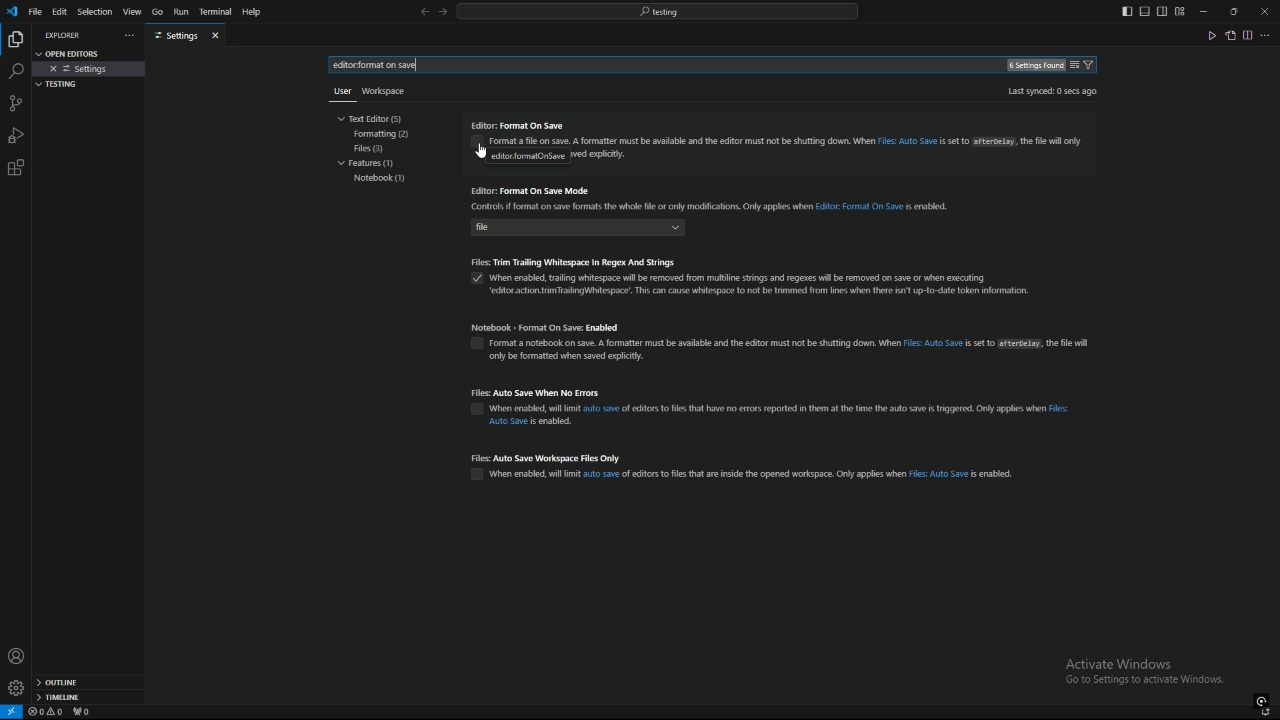  I want to click on files, so click(380, 148).